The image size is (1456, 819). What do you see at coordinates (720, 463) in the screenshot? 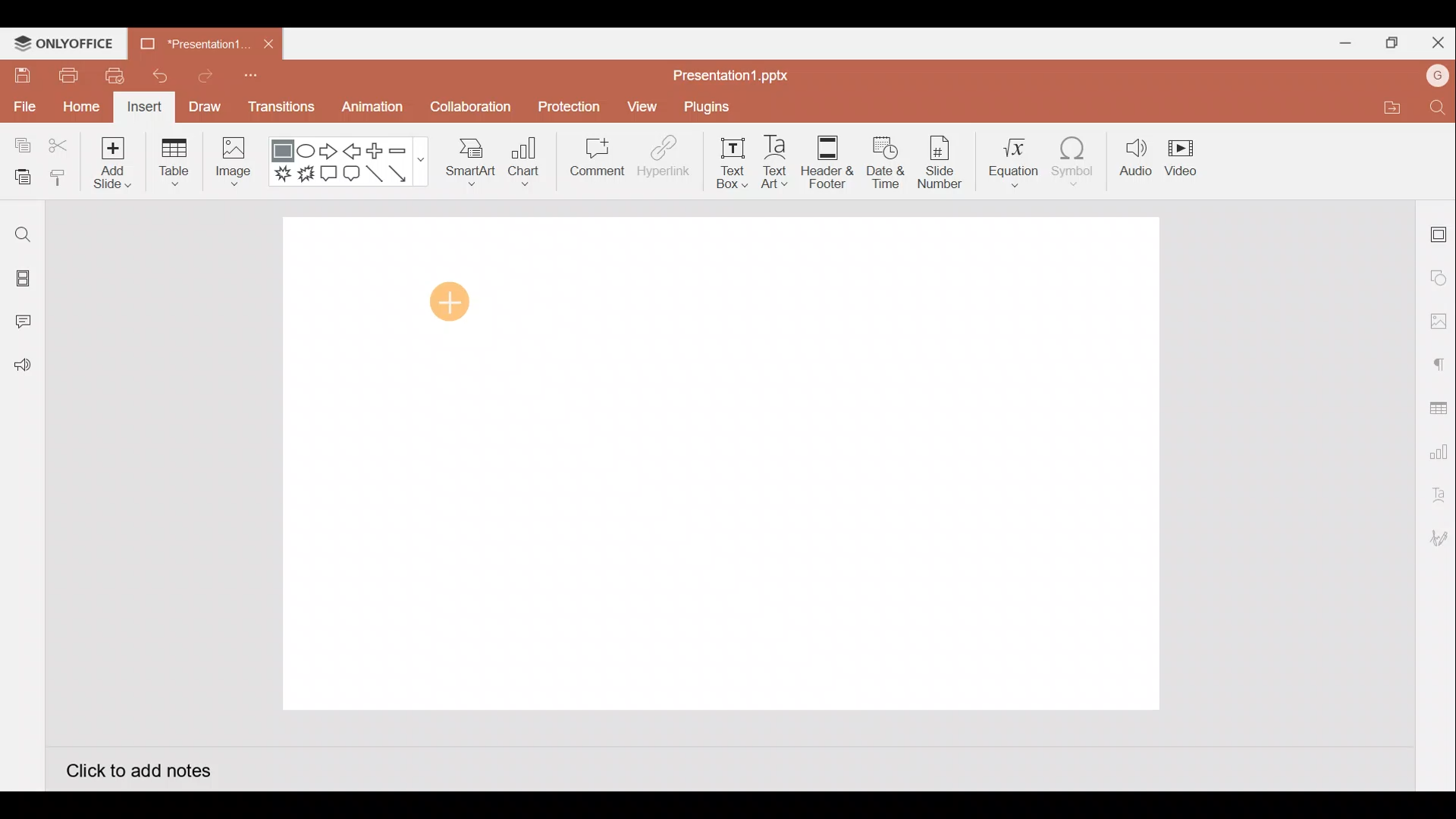
I see `Presentation slide` at bounding box center [720, 463].